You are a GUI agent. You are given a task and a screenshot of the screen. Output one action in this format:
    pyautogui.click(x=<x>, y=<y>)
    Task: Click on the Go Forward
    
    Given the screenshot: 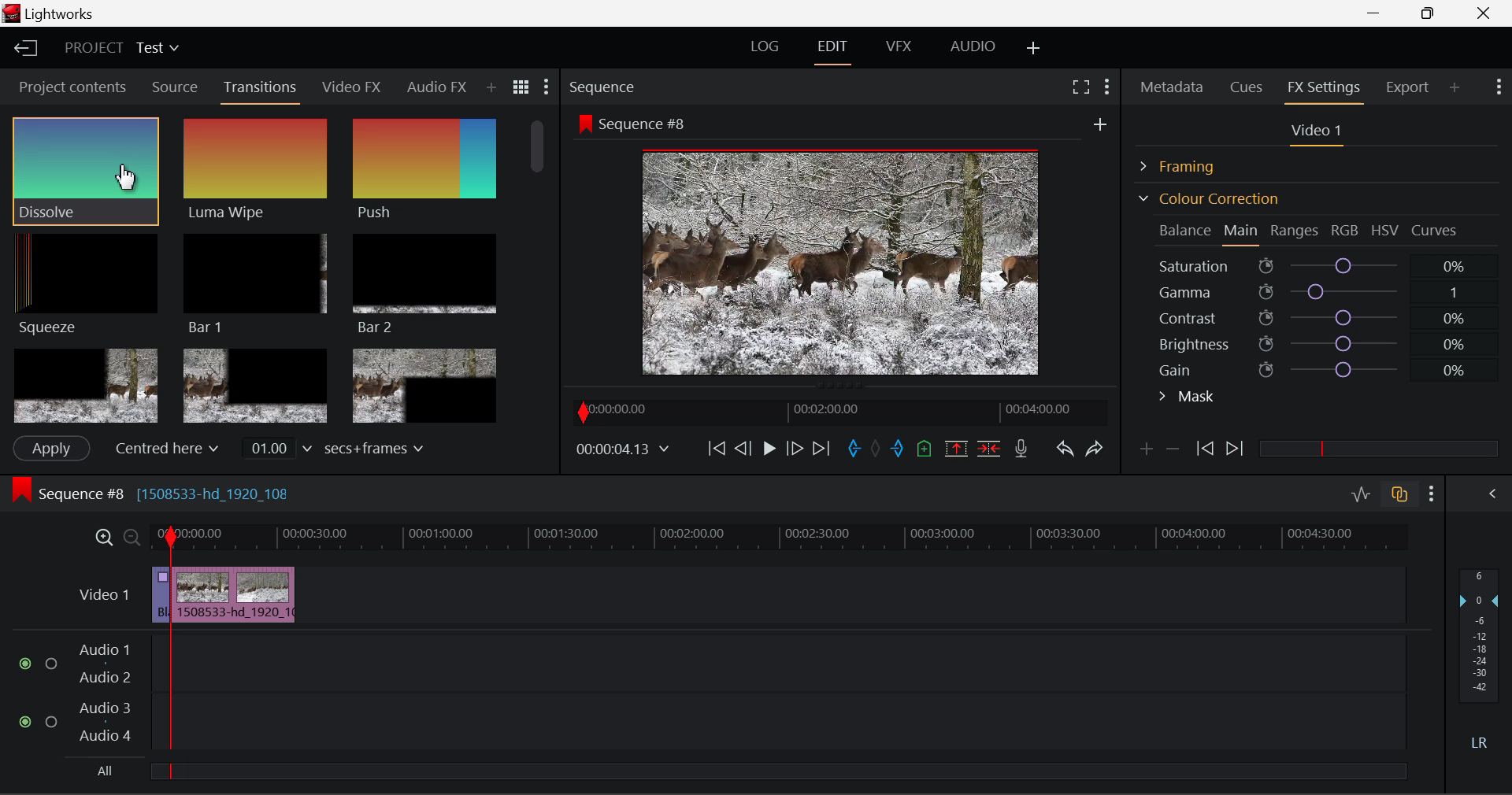 What is the action you would take?
    pyautogui.click(x=795, y=448)
    